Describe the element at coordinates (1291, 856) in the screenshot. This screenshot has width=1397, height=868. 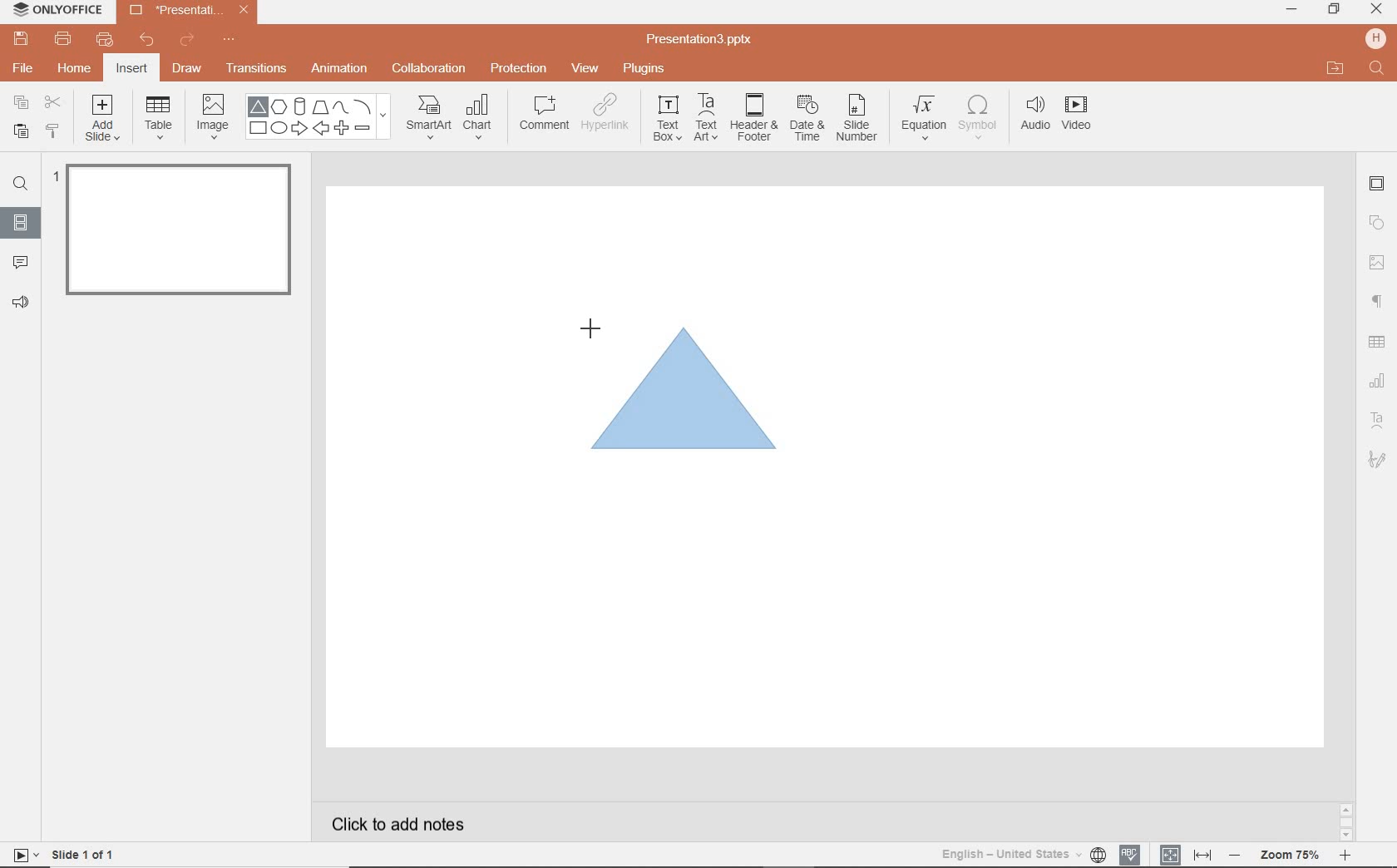
I see `ZOOM level` at that location.